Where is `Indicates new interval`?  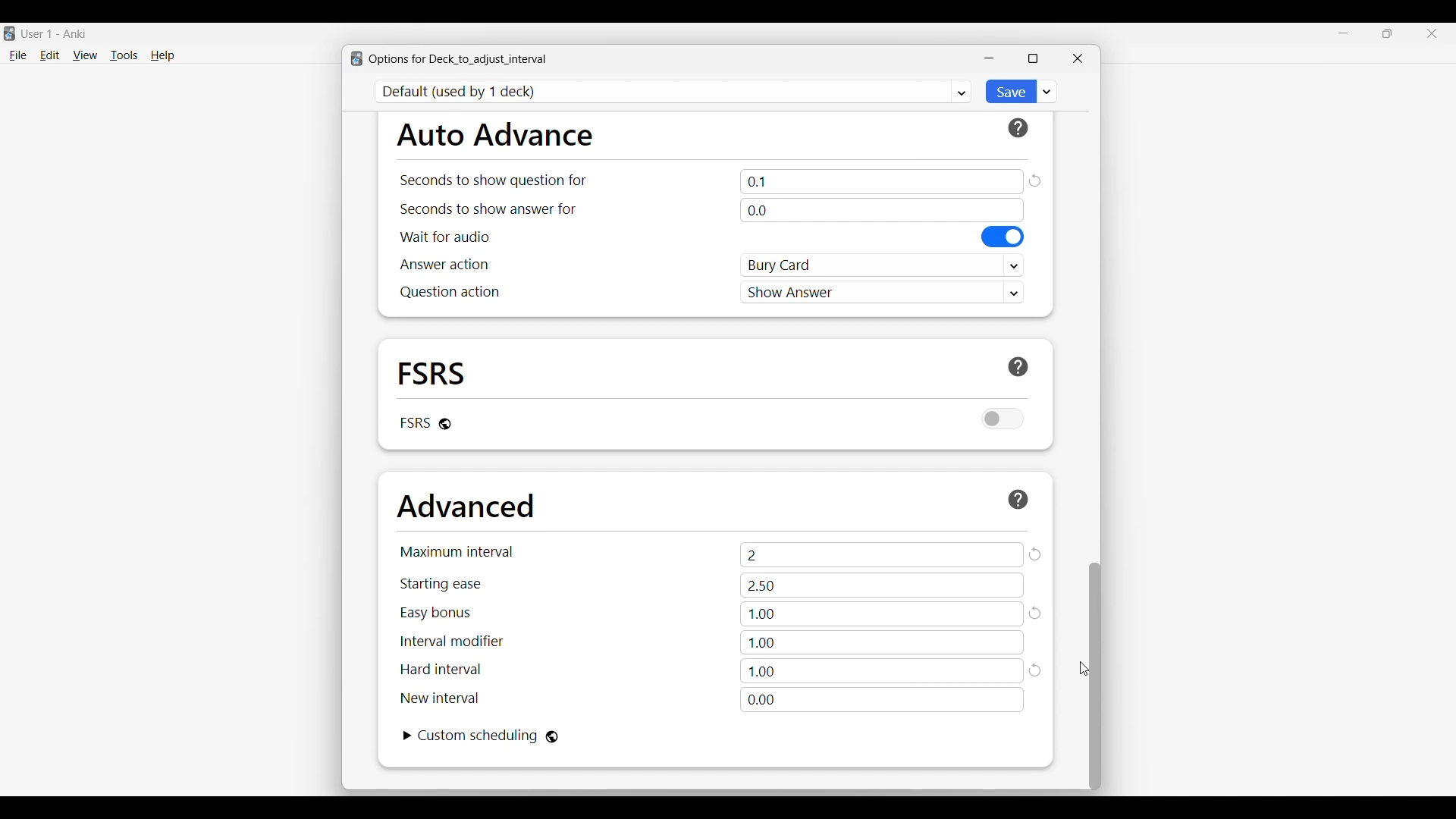 Indicates new interval is located at coordinates (439, 698).